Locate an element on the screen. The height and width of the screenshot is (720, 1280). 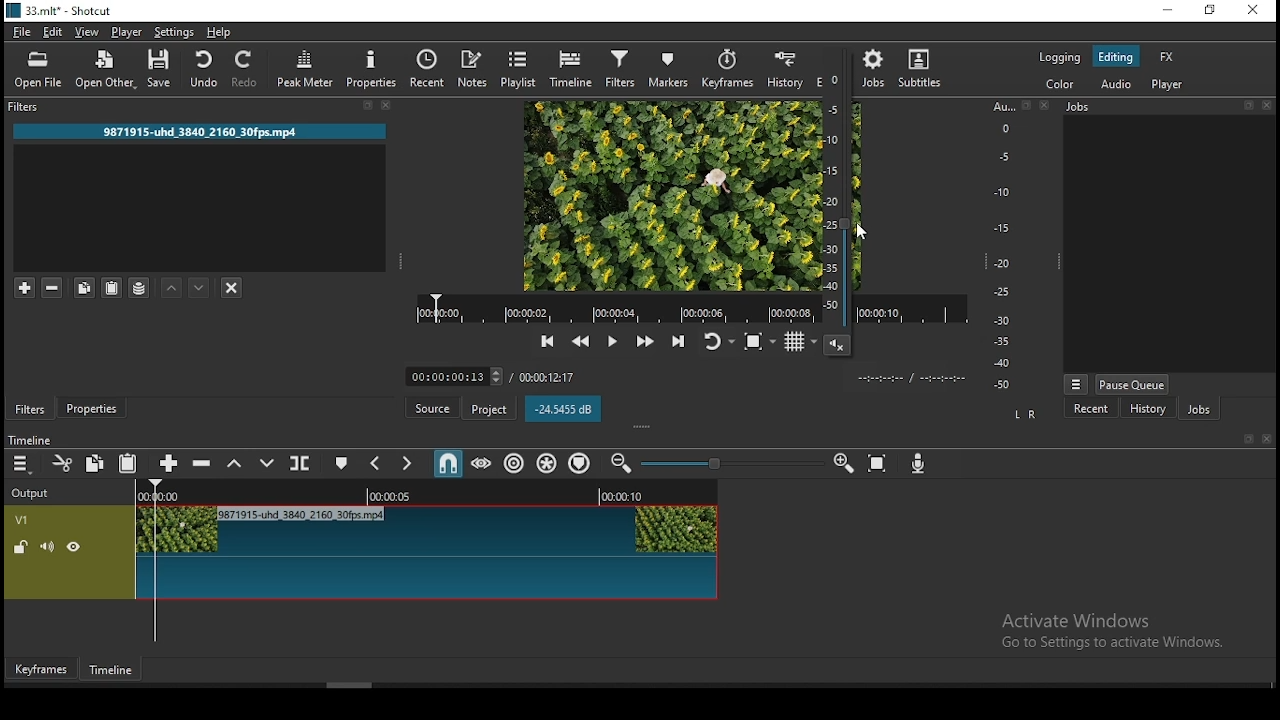
play quickly forward is located at coordinates (643, 343).